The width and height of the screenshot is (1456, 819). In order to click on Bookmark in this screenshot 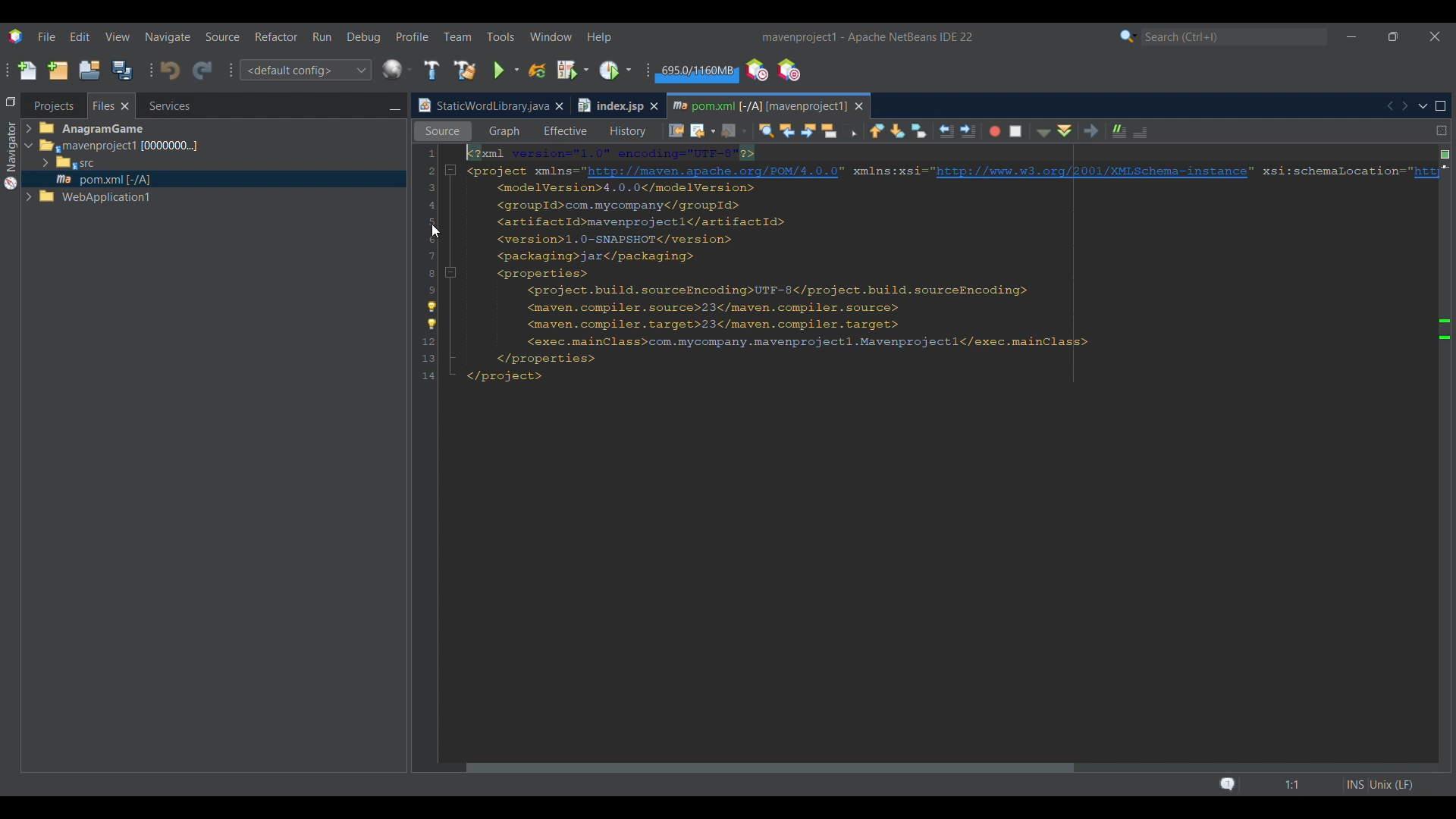, I will do `click(1445, 182)`.